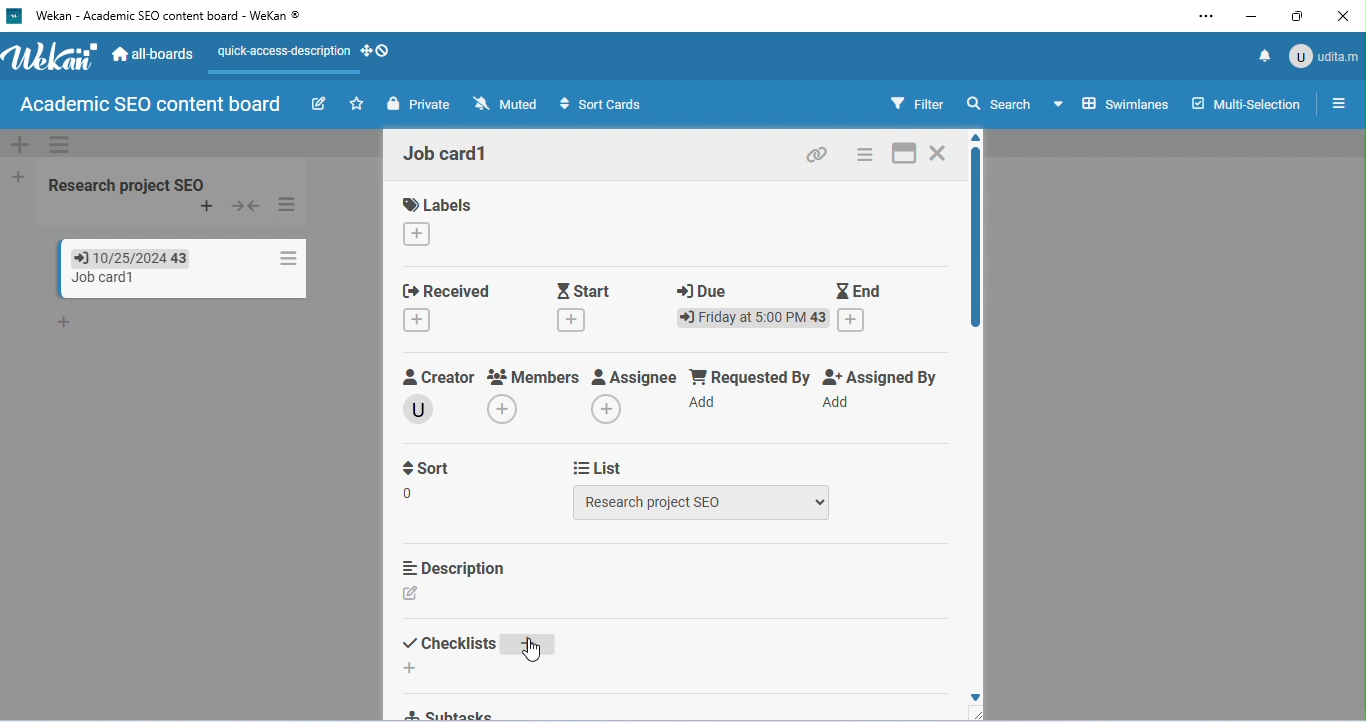 This screenshot has width=1366, height=722. What do you see at coordinates (450, 154) in the screenshot?
I see `card name` at bounding box center [450, 154].